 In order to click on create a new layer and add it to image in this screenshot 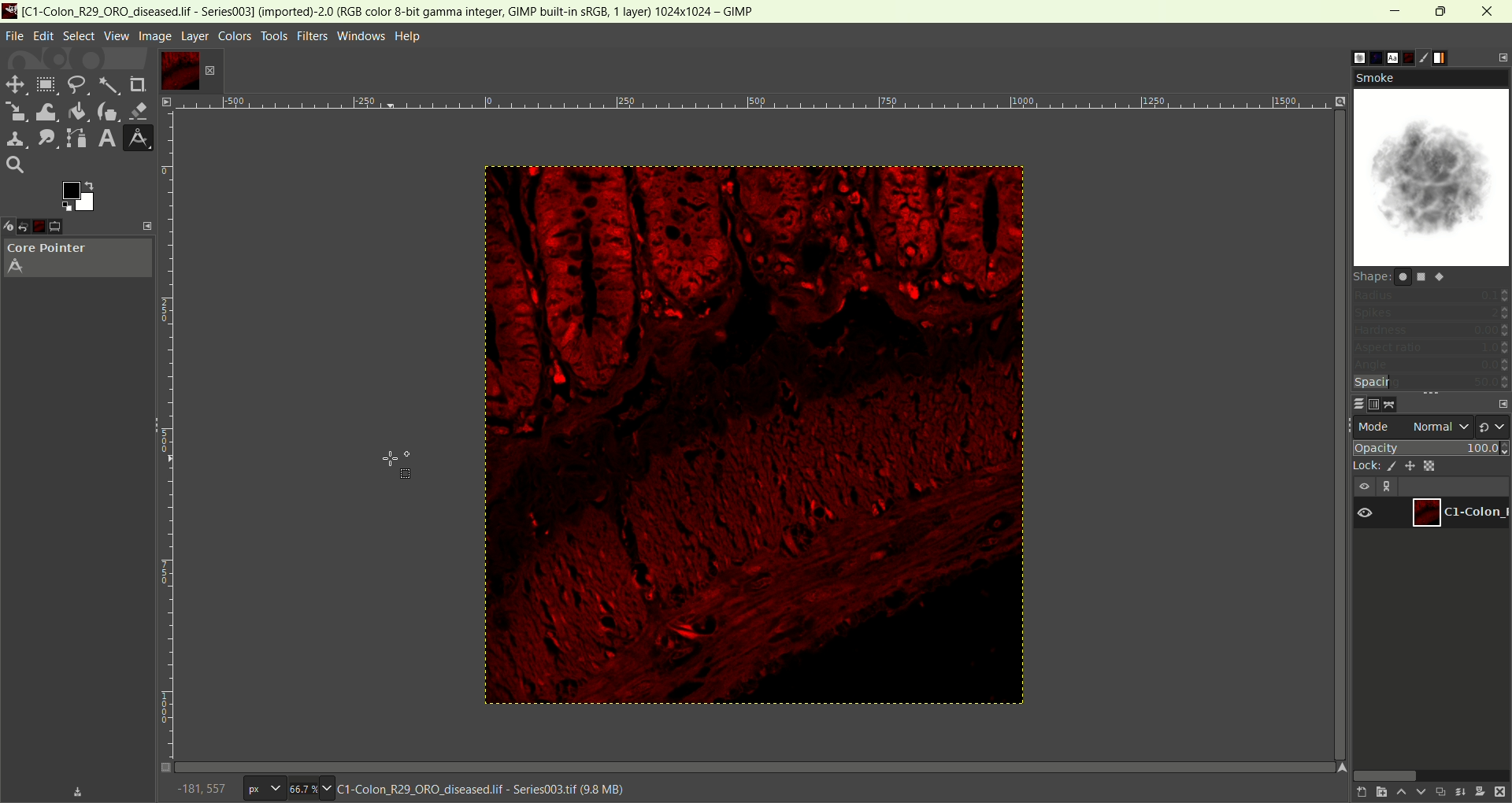, I will do `click(1377, 793)`.